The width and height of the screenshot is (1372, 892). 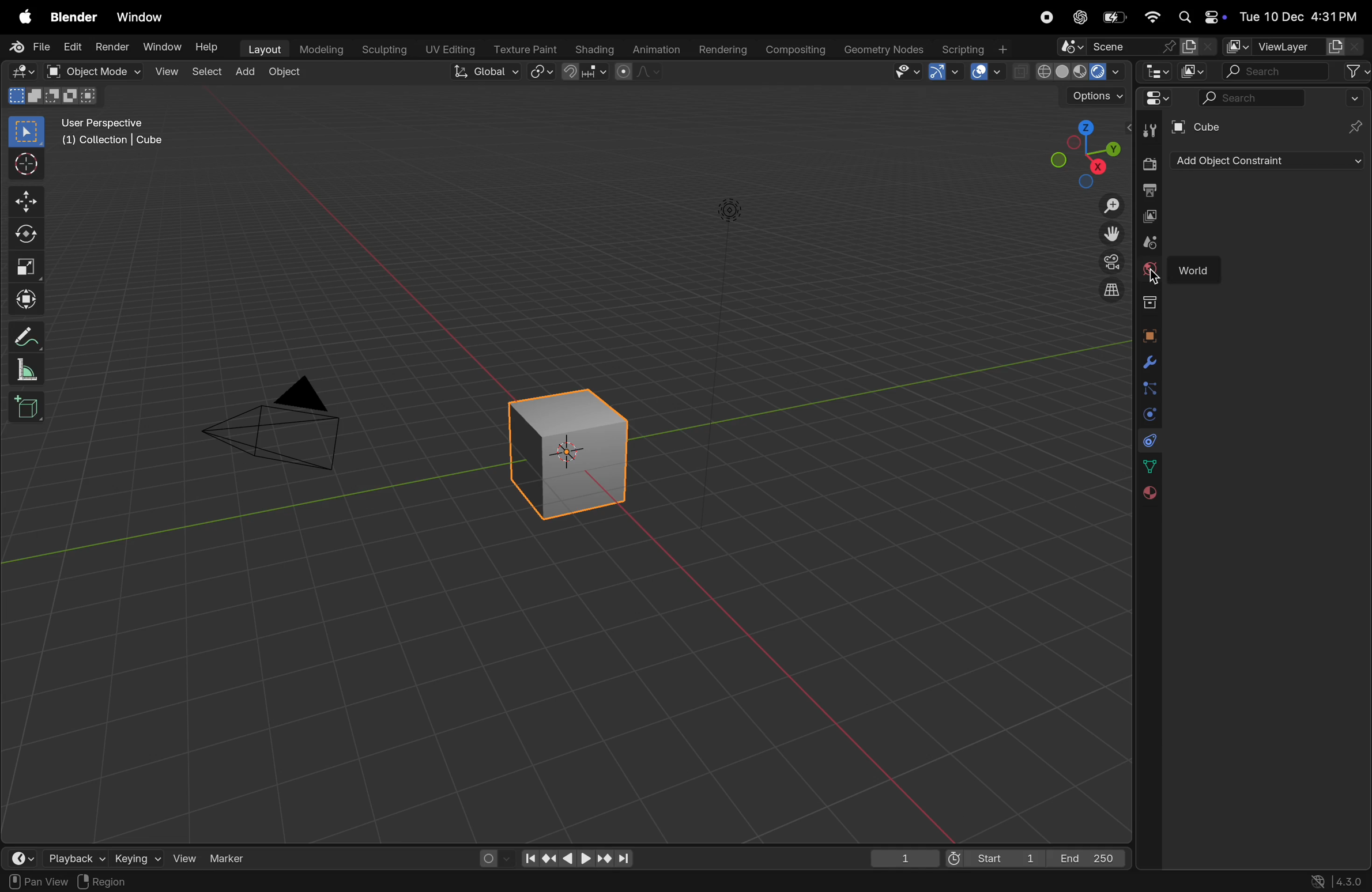 What do you see at coordinates (35, 881) in the screenshot?
I see `pan view` at bounding box center [35, 881].